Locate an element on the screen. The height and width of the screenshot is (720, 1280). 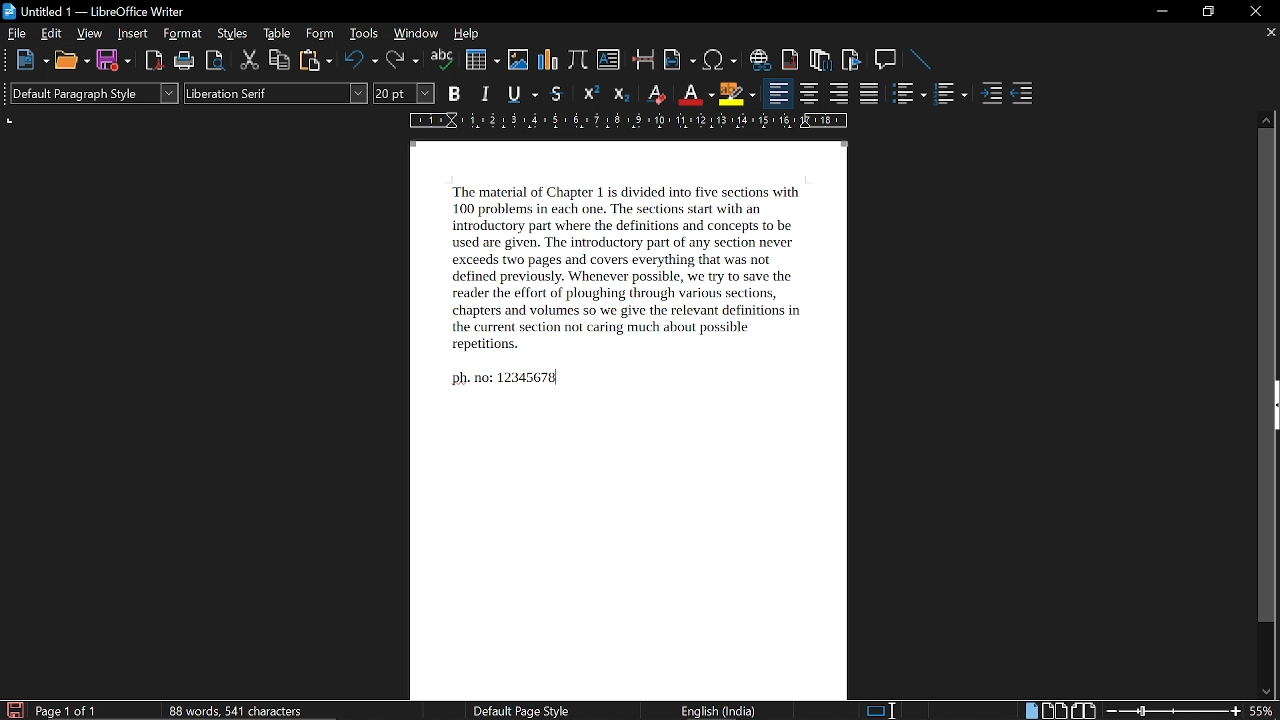
move up is located at coordinates (1265, 119).